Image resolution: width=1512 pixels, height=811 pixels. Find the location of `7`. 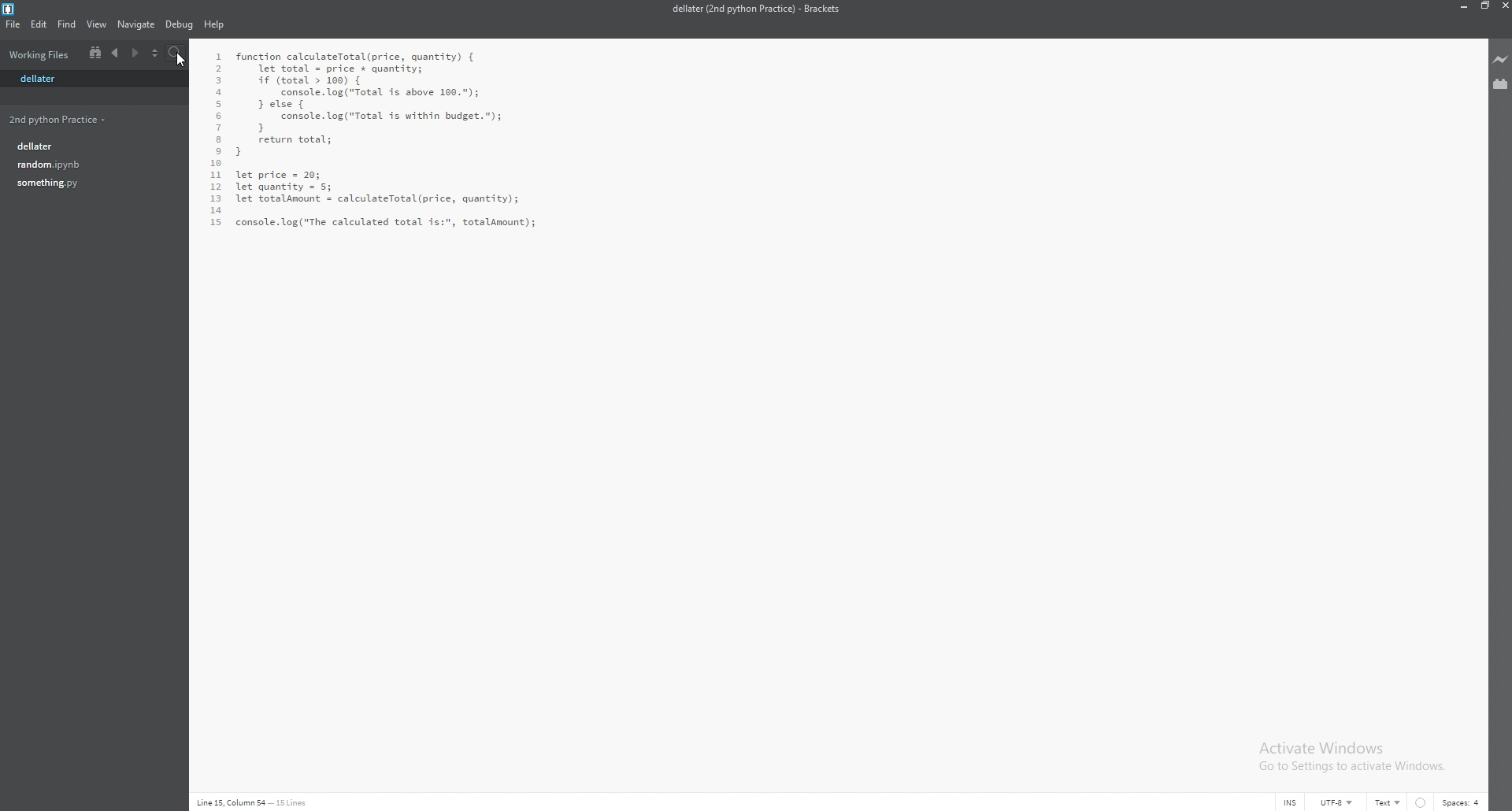

7 is located at coordinates (219, 128).